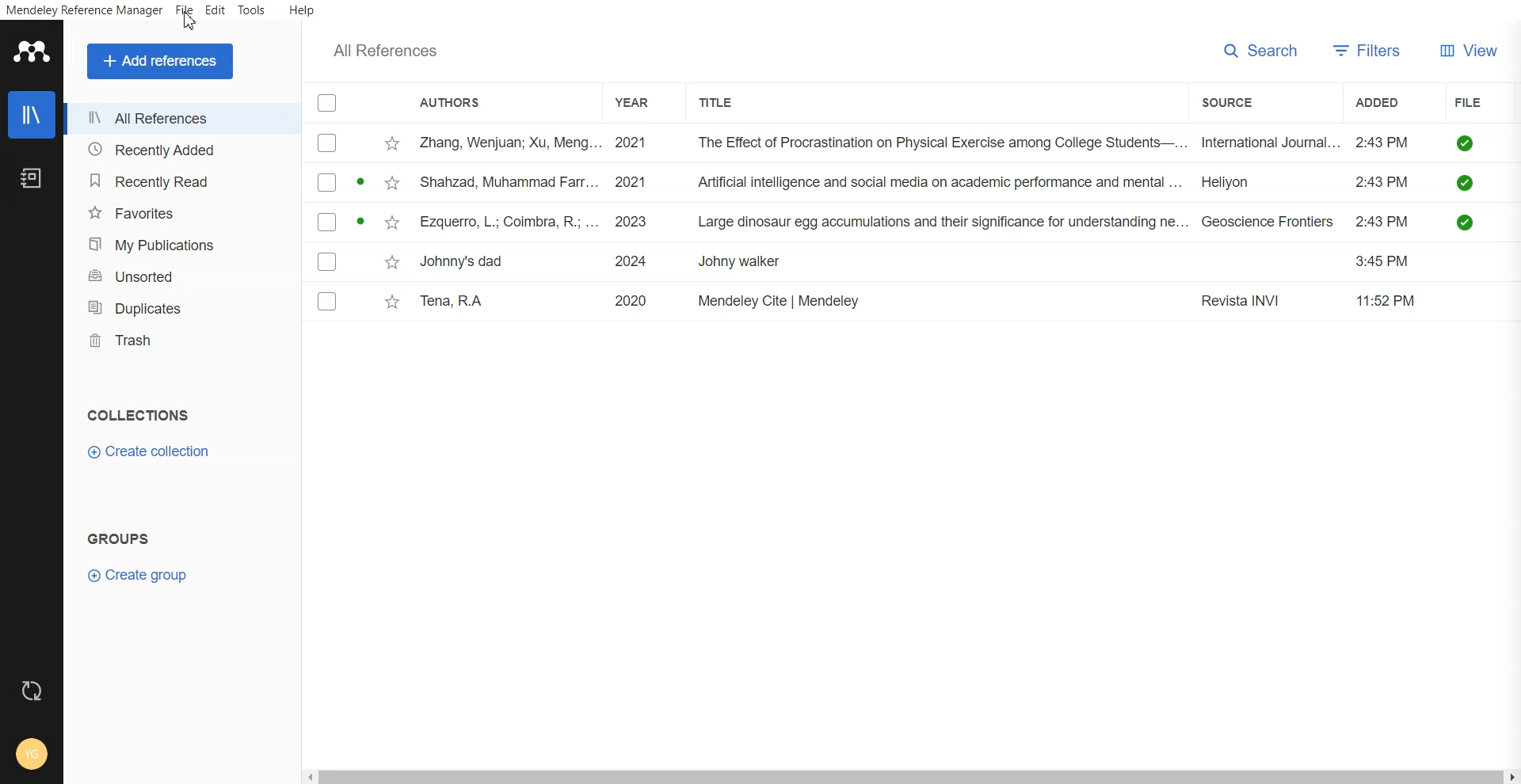  Describe the element at coordinates (943, 143) in the screenshot. I see `The Effect of Procrastination on Physical Exercise among College Students—...` at that location.